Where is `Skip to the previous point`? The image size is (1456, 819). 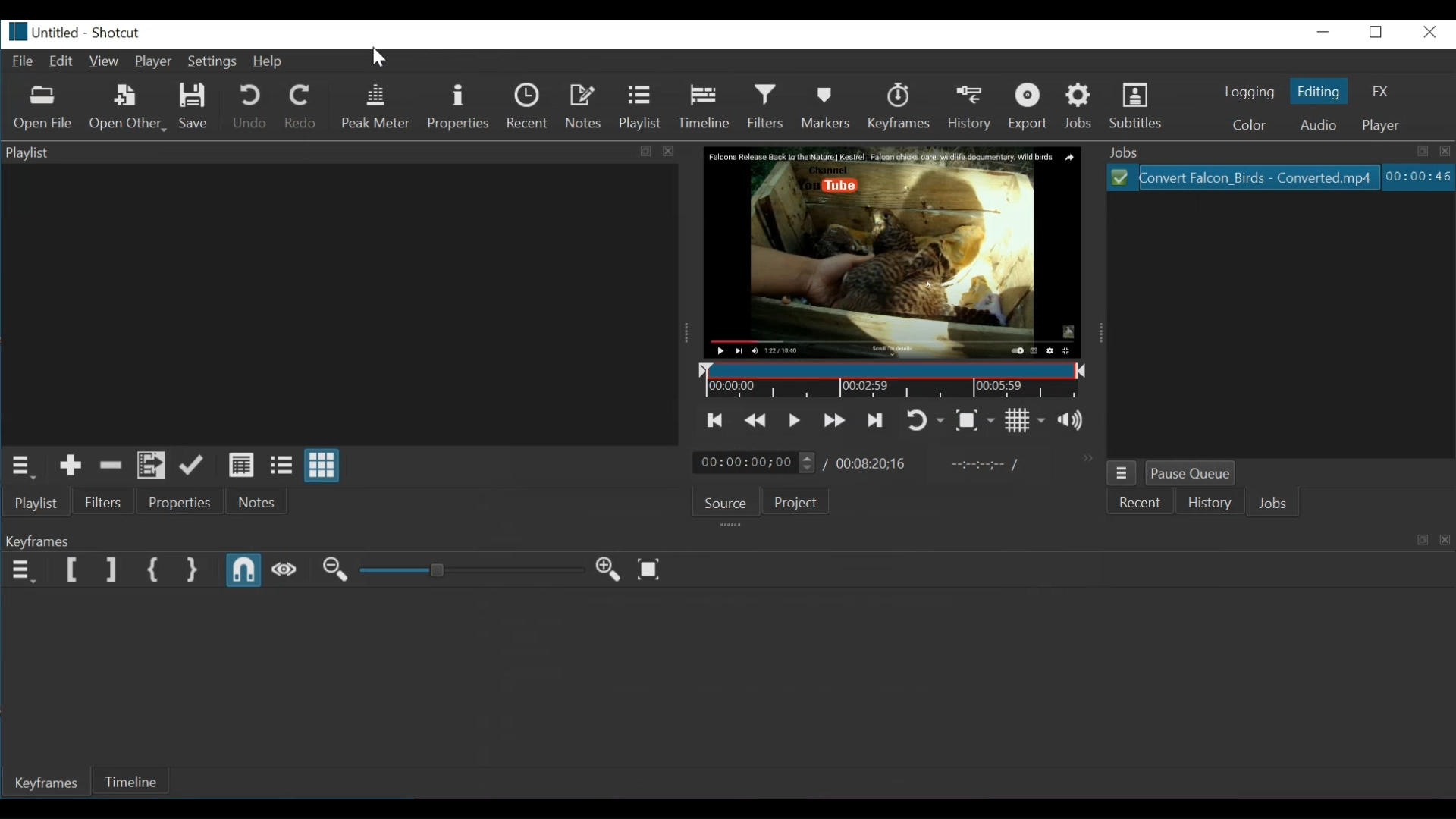 Skip to the previous point is located at coordinates (717, 422).